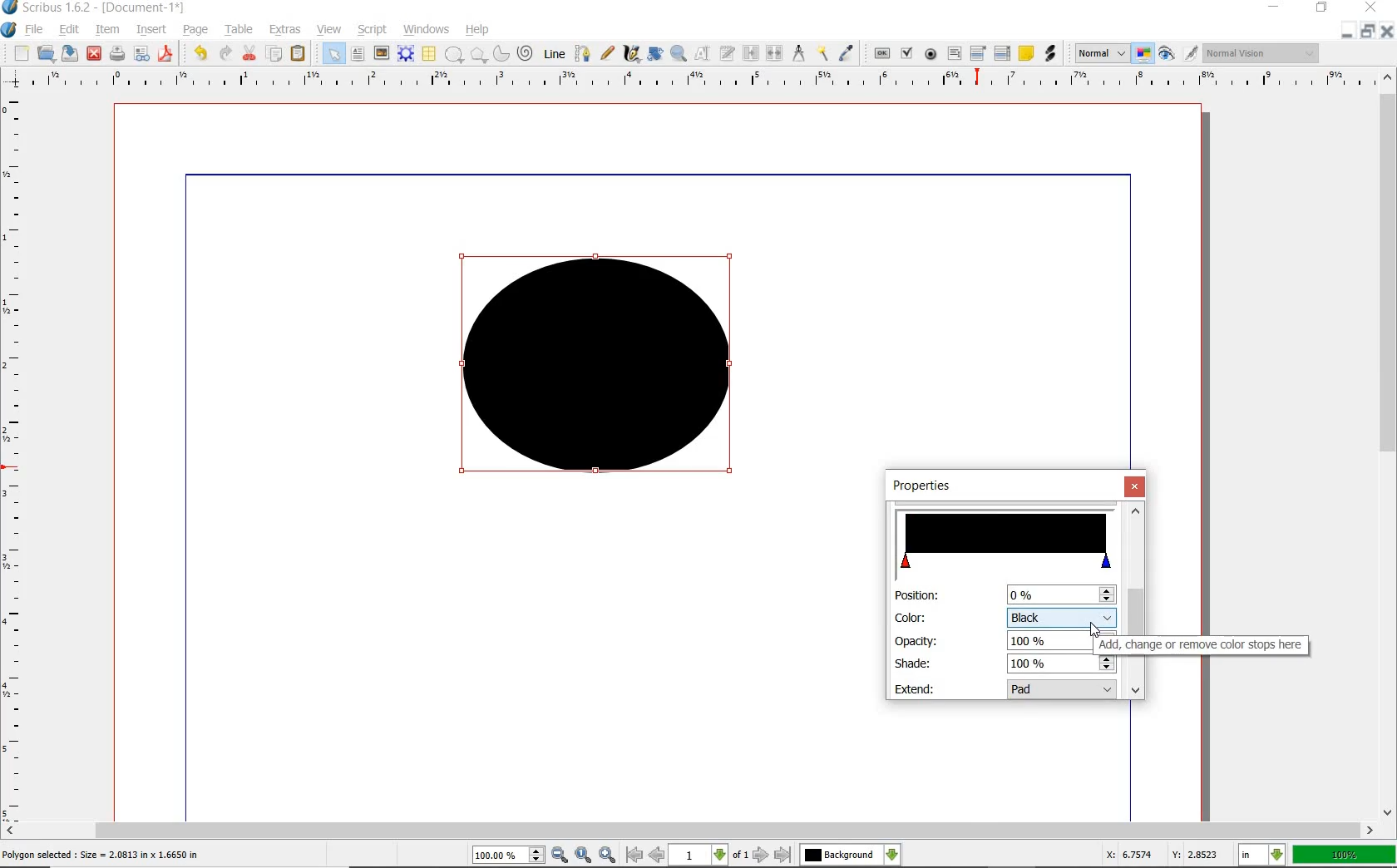 Image resolution: width=1397 pixels, height=868 pixels. I want to click on ZOOM FACTOR, so click(1344, 856).